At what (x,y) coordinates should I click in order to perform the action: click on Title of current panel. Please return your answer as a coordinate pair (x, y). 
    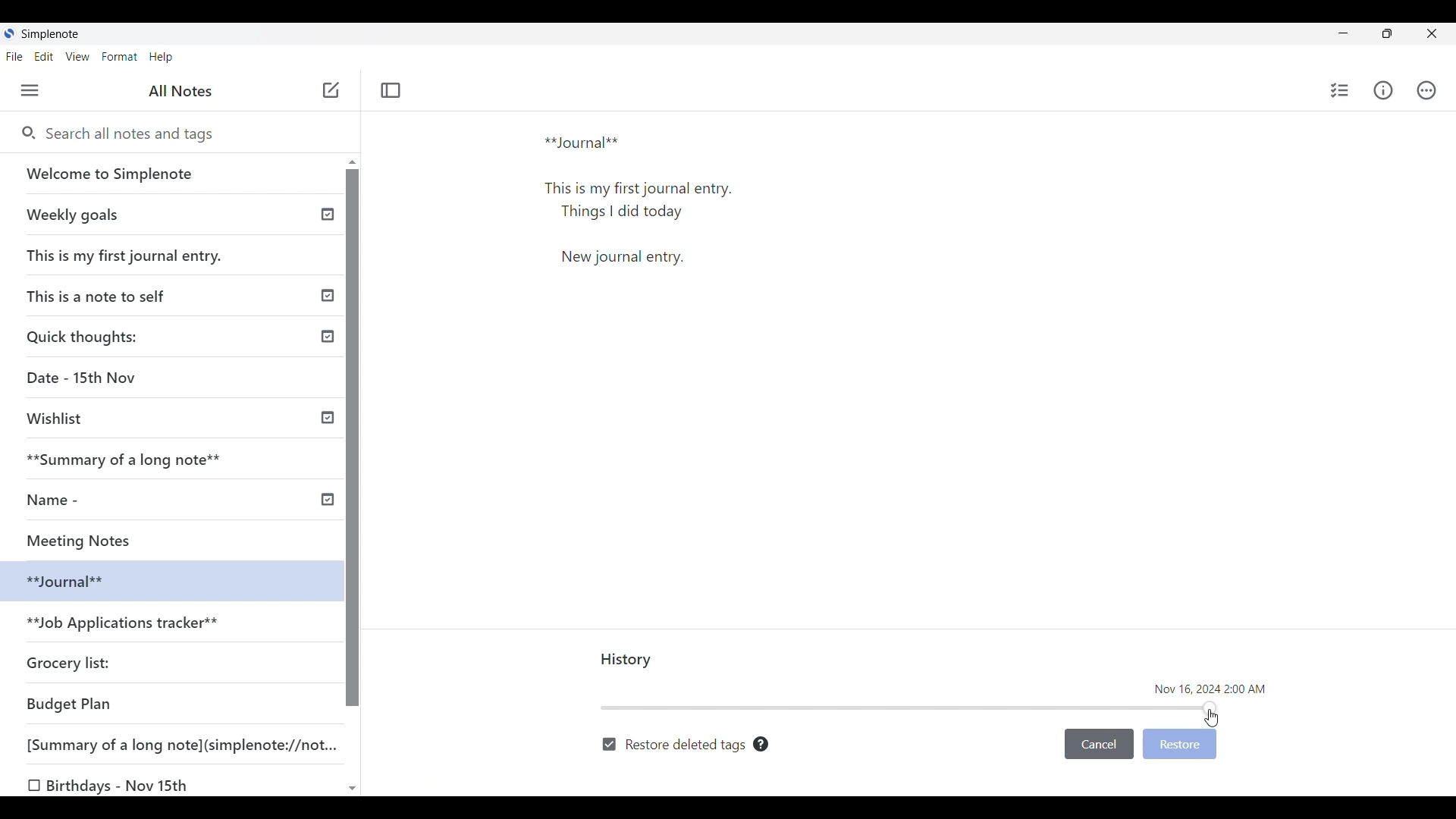
    Looking at the image, I should click on (627, 661).